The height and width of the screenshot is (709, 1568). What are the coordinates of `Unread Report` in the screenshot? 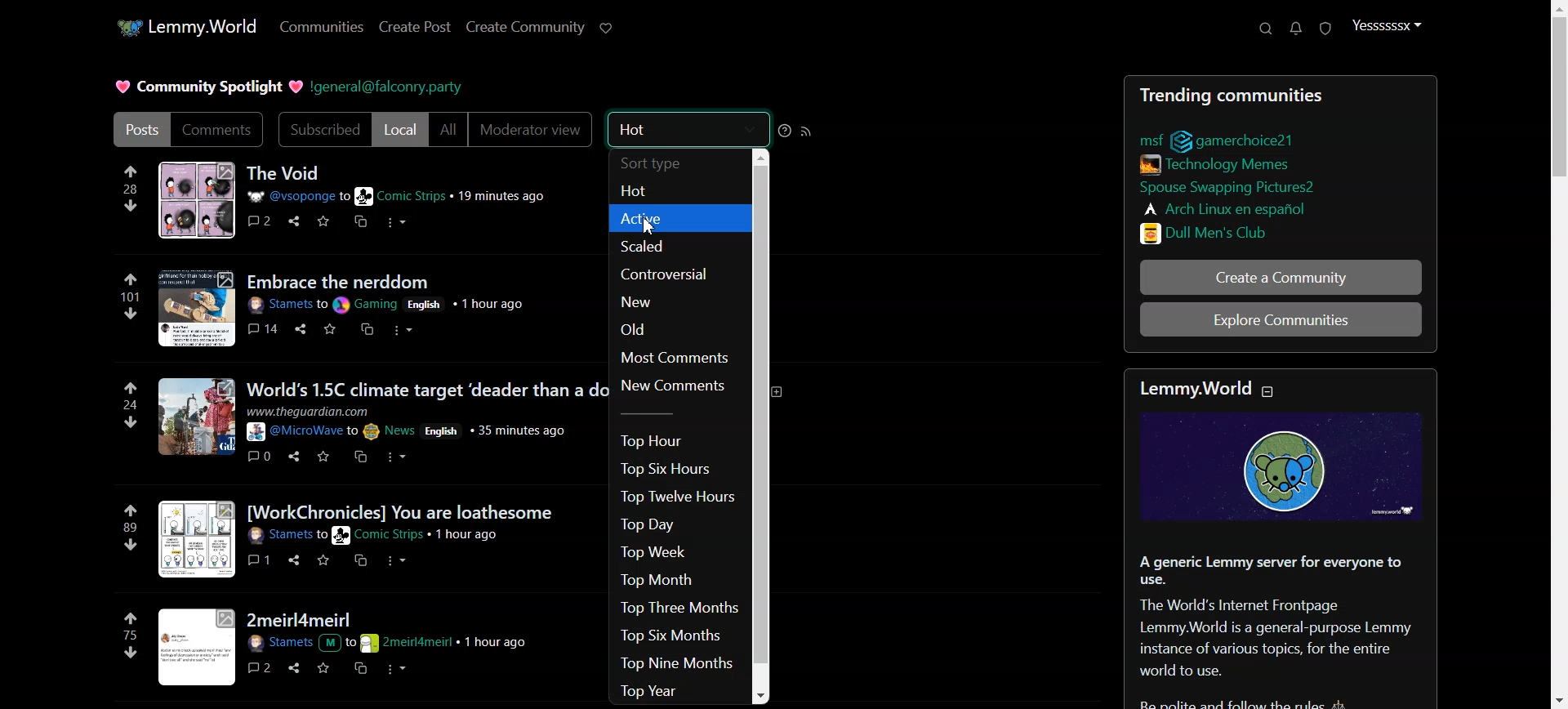 It's located at (1326, 29).